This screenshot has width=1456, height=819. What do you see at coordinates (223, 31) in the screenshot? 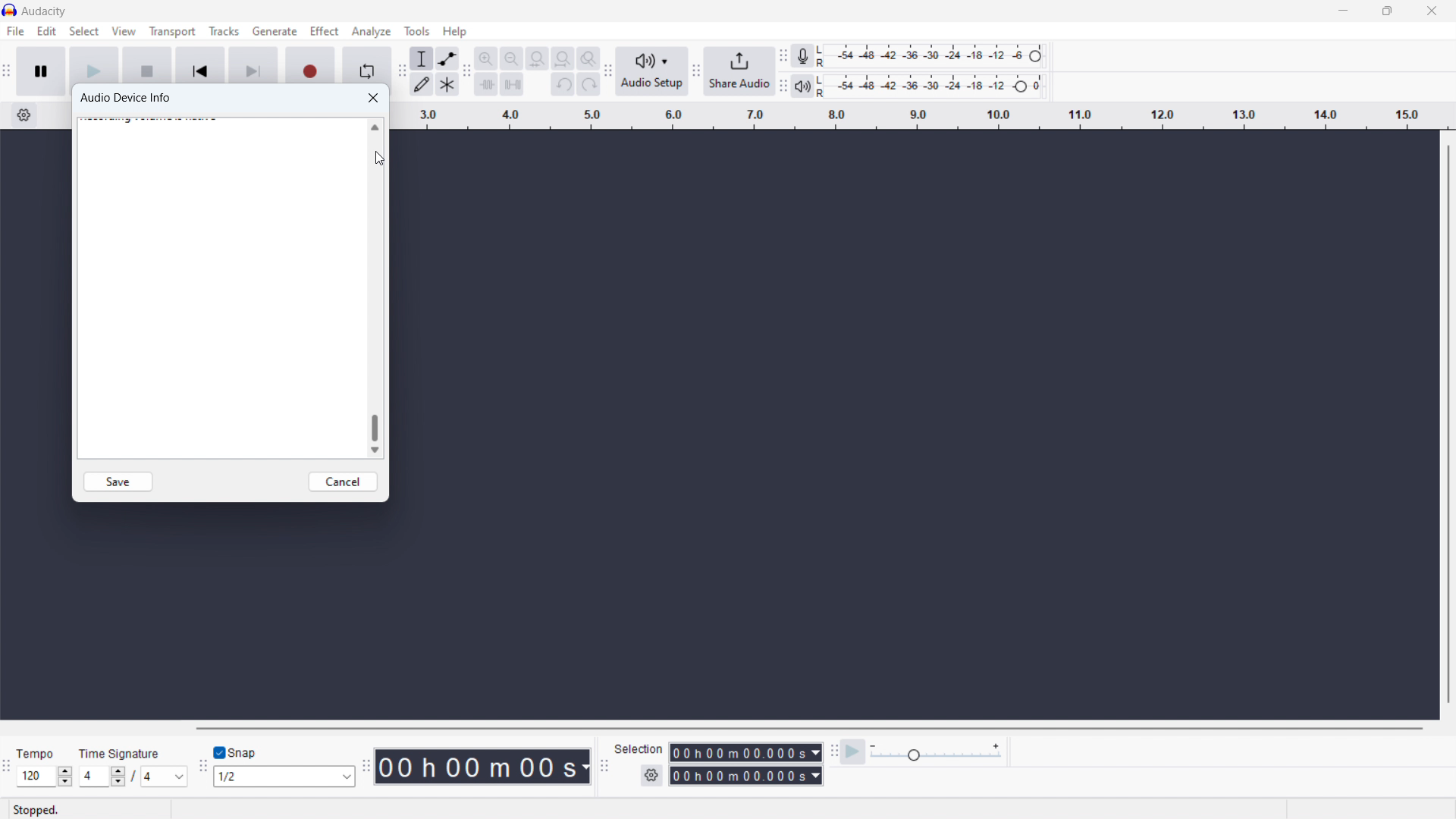
I see `tracks` at bounding box center [223, 31].